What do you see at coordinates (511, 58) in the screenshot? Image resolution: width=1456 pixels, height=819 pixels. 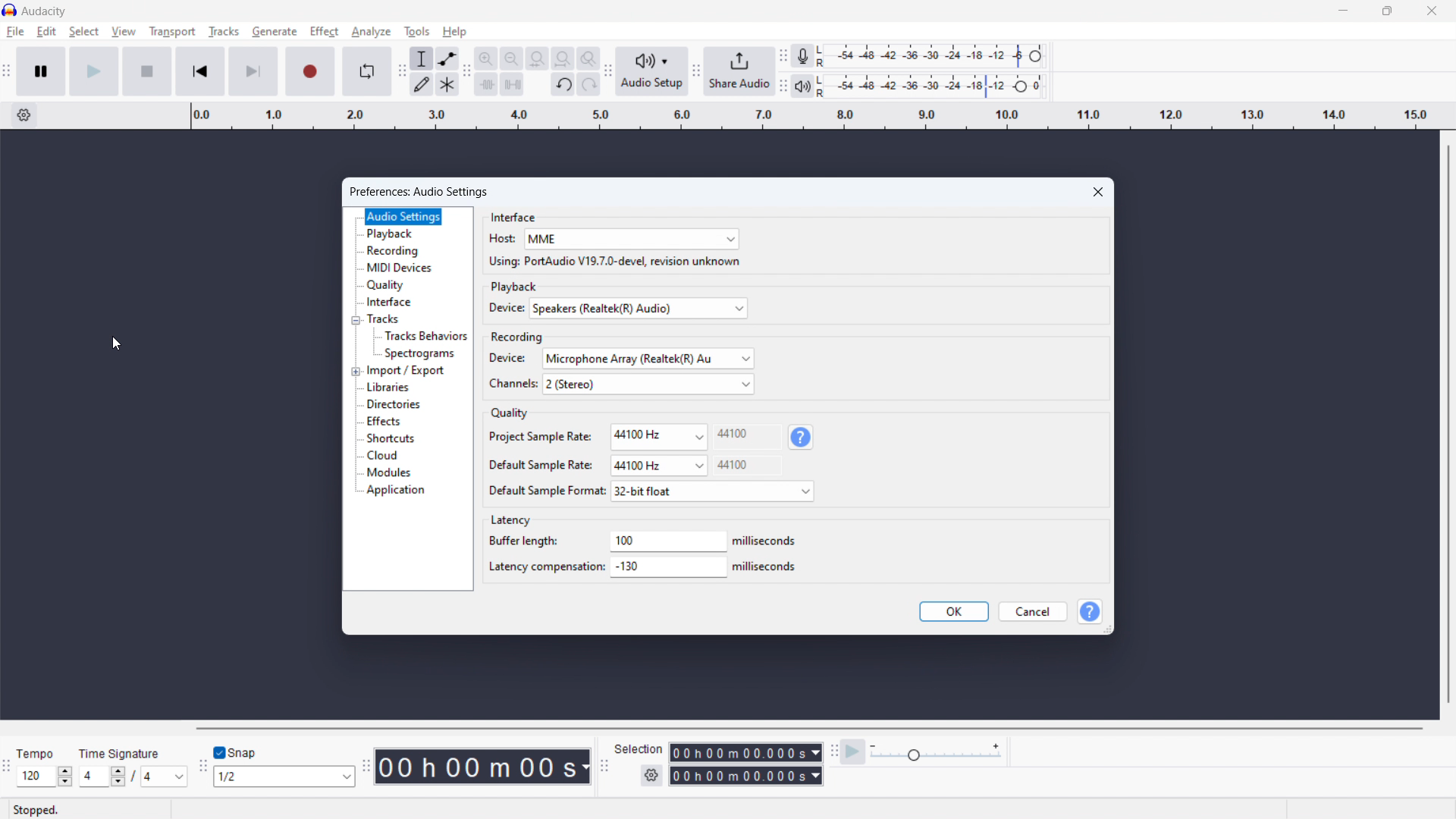 I see `zoom out` at bounding box center [511, 58].